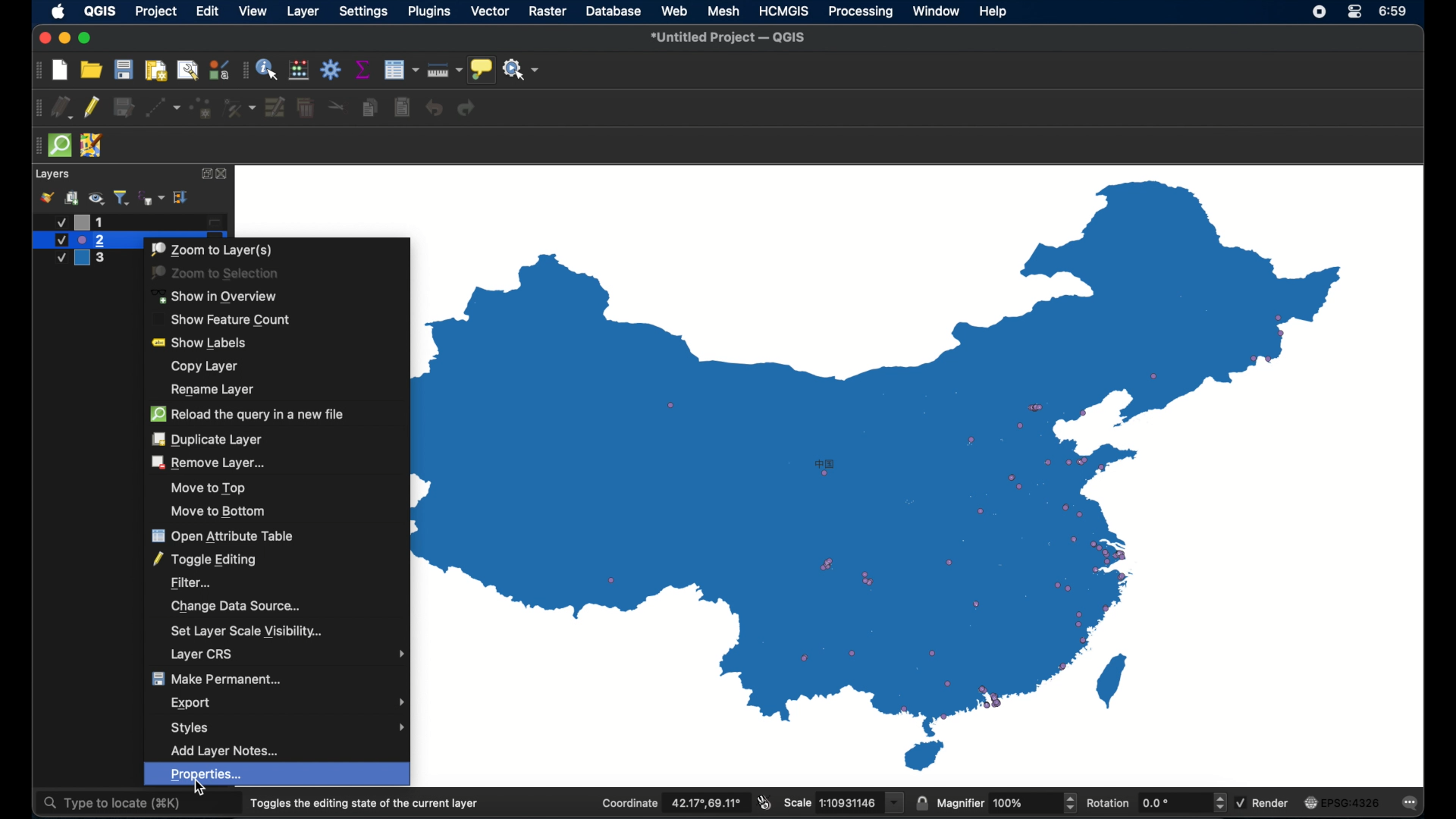 This screenshot has height=819, width=1456. Describe the element at coordinates (268, 68) in the screenshot. I see `identify feature` at that location.